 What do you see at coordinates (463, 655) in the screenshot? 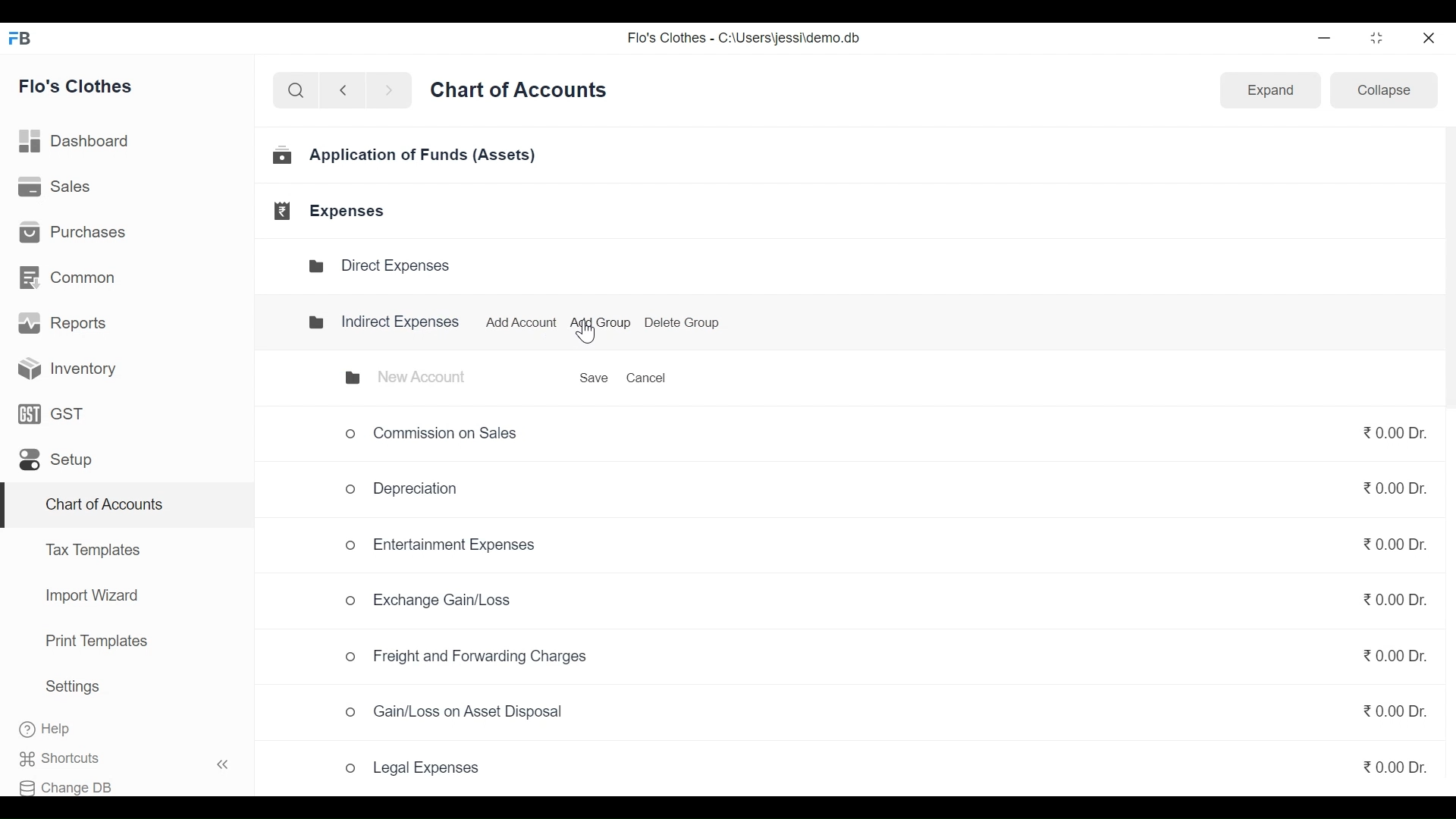
I see `o Freight and Forwarding Charges` at bounding box center [463, 655].